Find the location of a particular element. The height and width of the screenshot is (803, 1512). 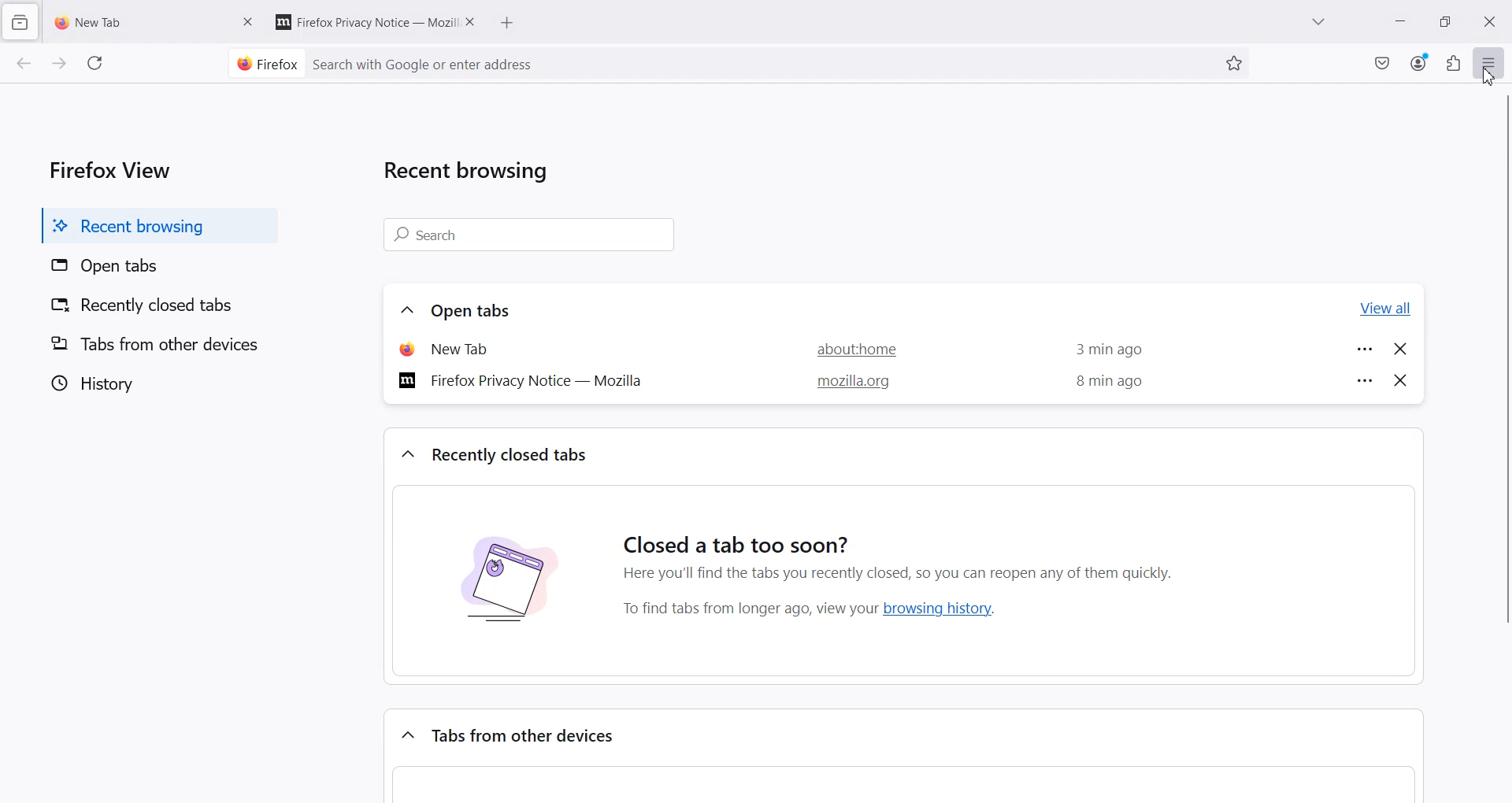

Search with google or enter address is located at coordinates (761, 63).